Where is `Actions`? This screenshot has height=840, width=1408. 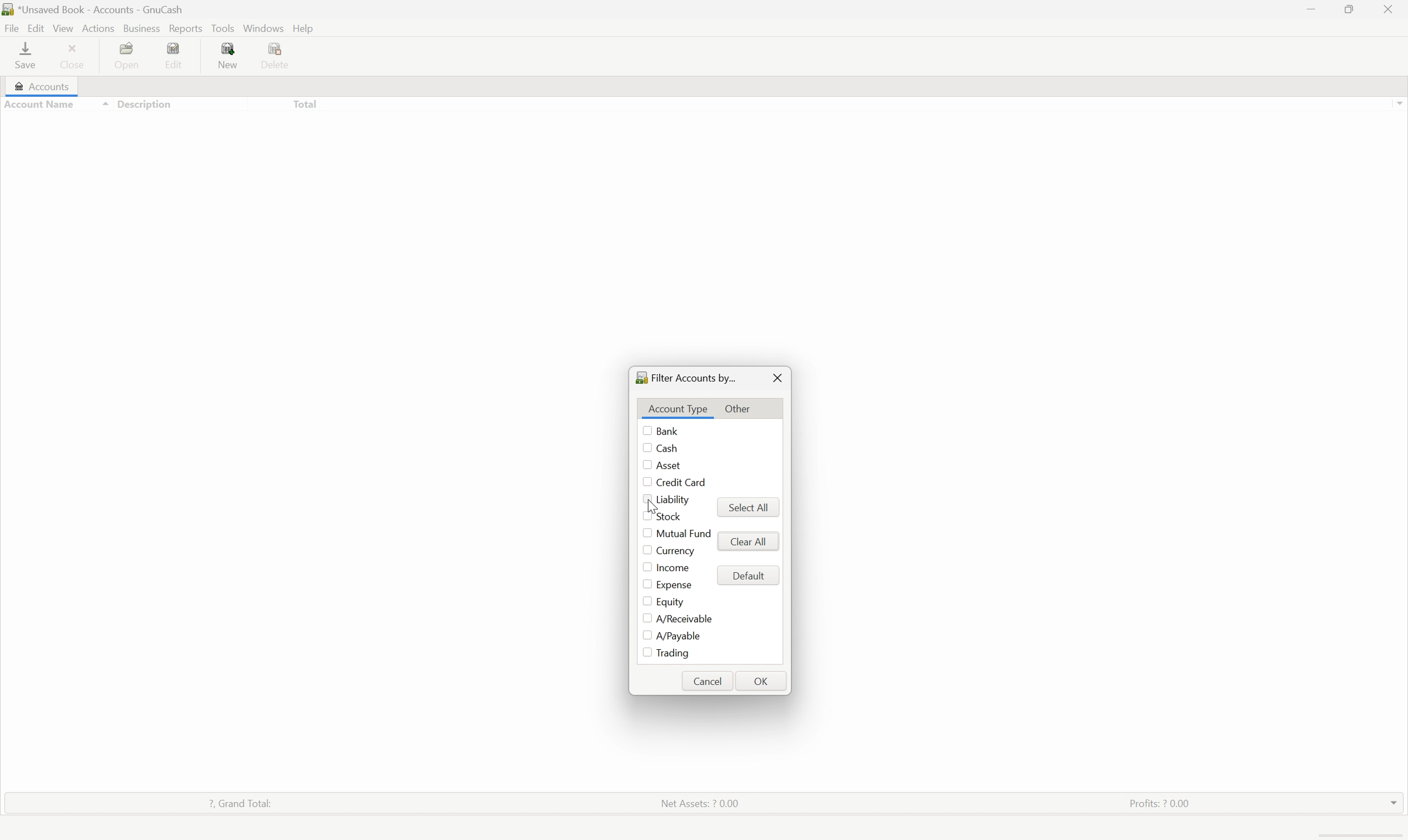 Actions is located at coordinates (99, 28).